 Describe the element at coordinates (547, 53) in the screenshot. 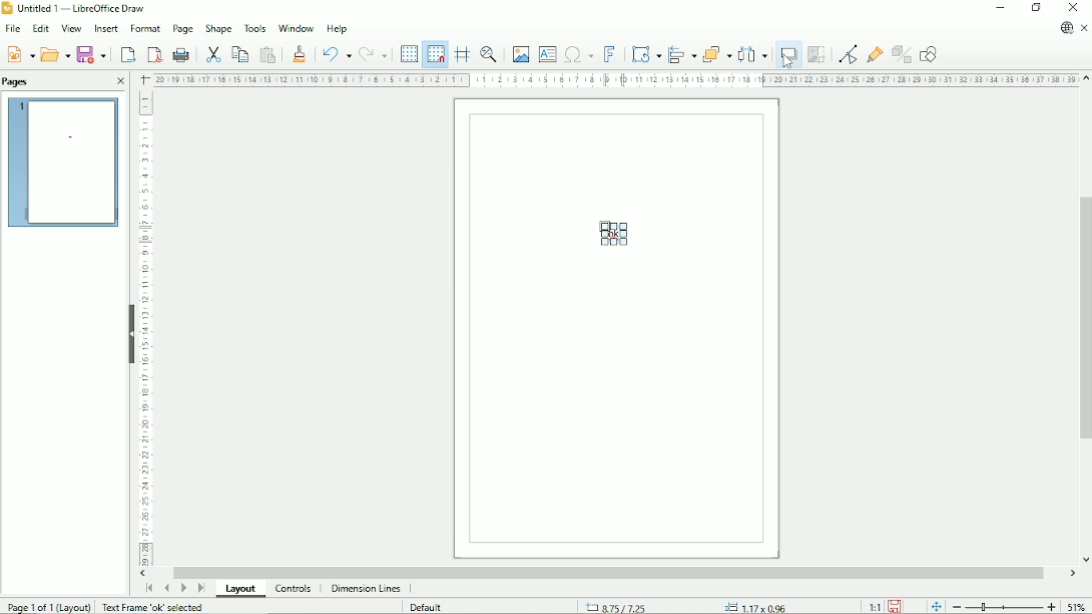

I see `Insert text box` at that location.